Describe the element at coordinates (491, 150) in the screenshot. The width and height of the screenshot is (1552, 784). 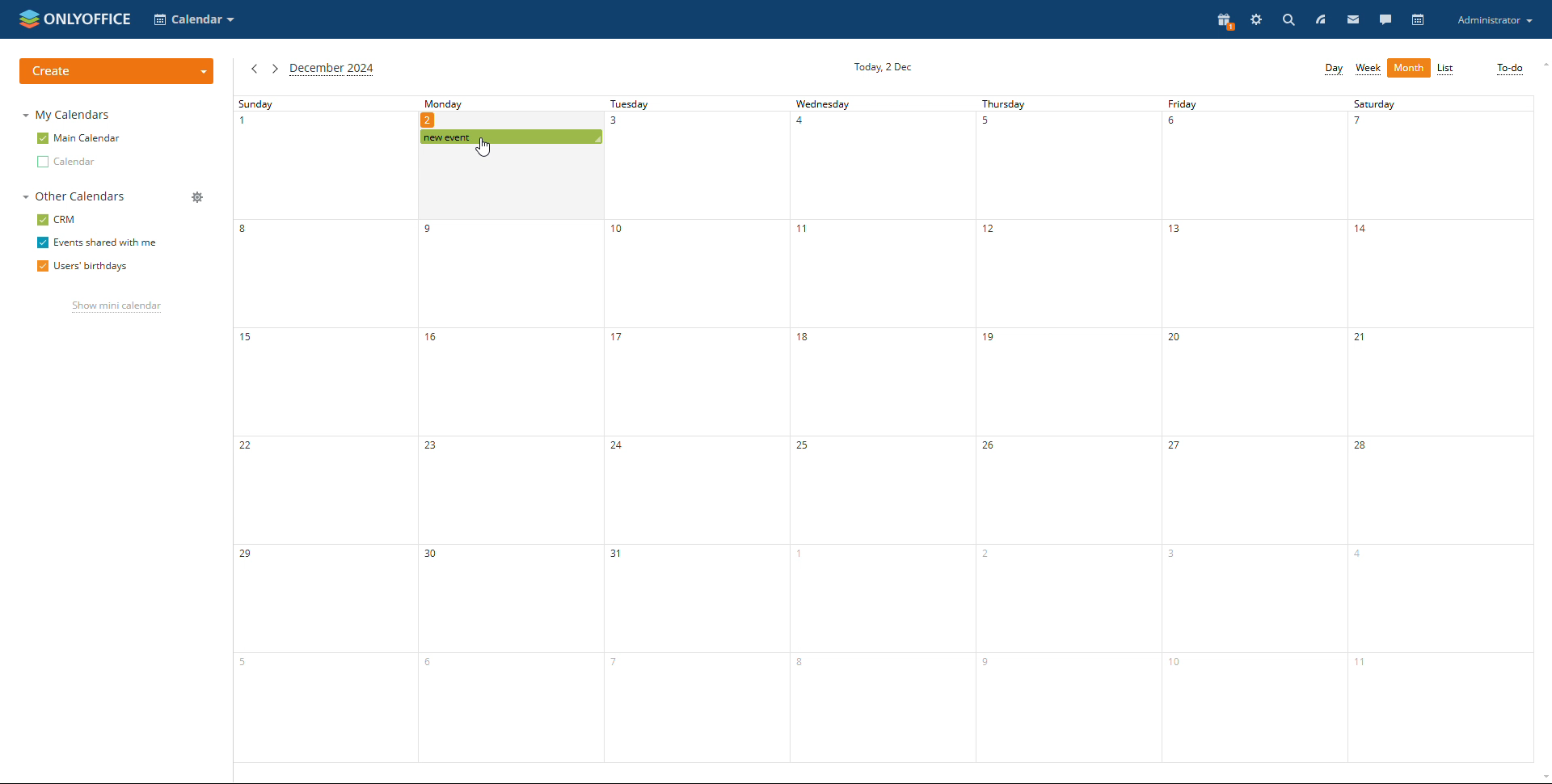
I see `cursor` at that location.